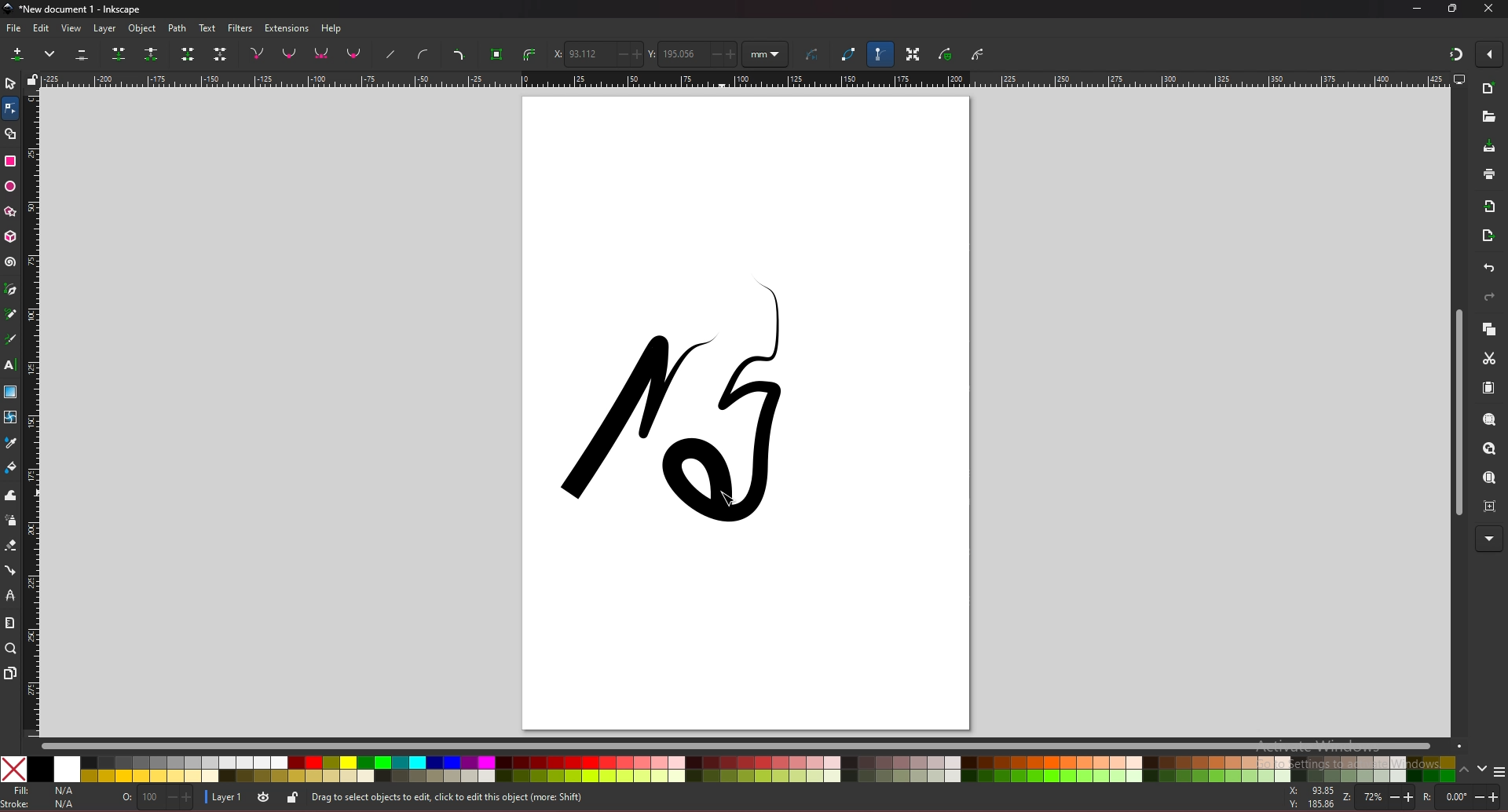 The image size is (1508, 812). Describe the element at coordinates (751, 747) in the screenshot. I see `scroll bar` at that location.